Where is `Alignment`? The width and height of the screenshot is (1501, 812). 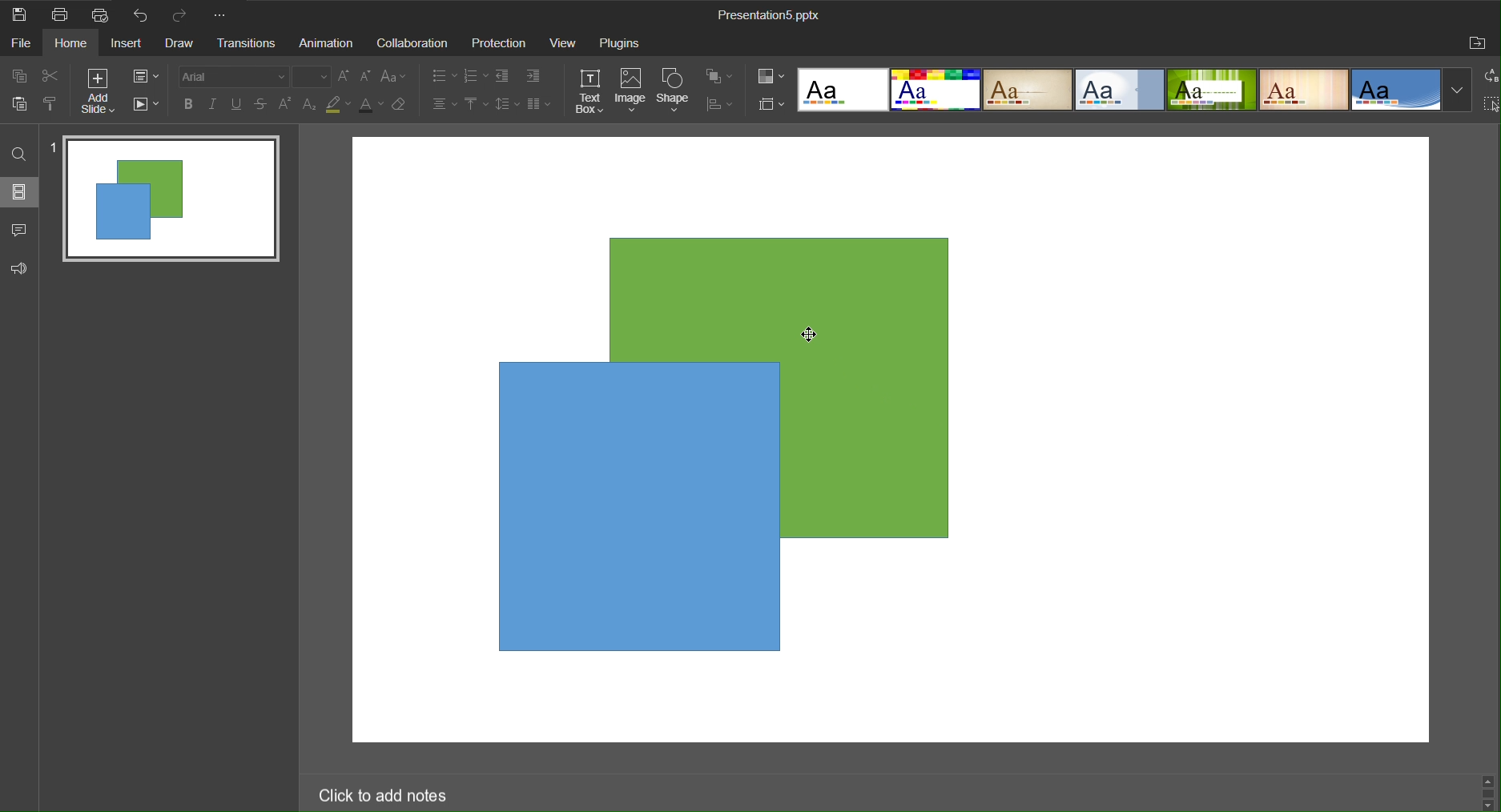 Alignment is located at coordinates (443, 105).